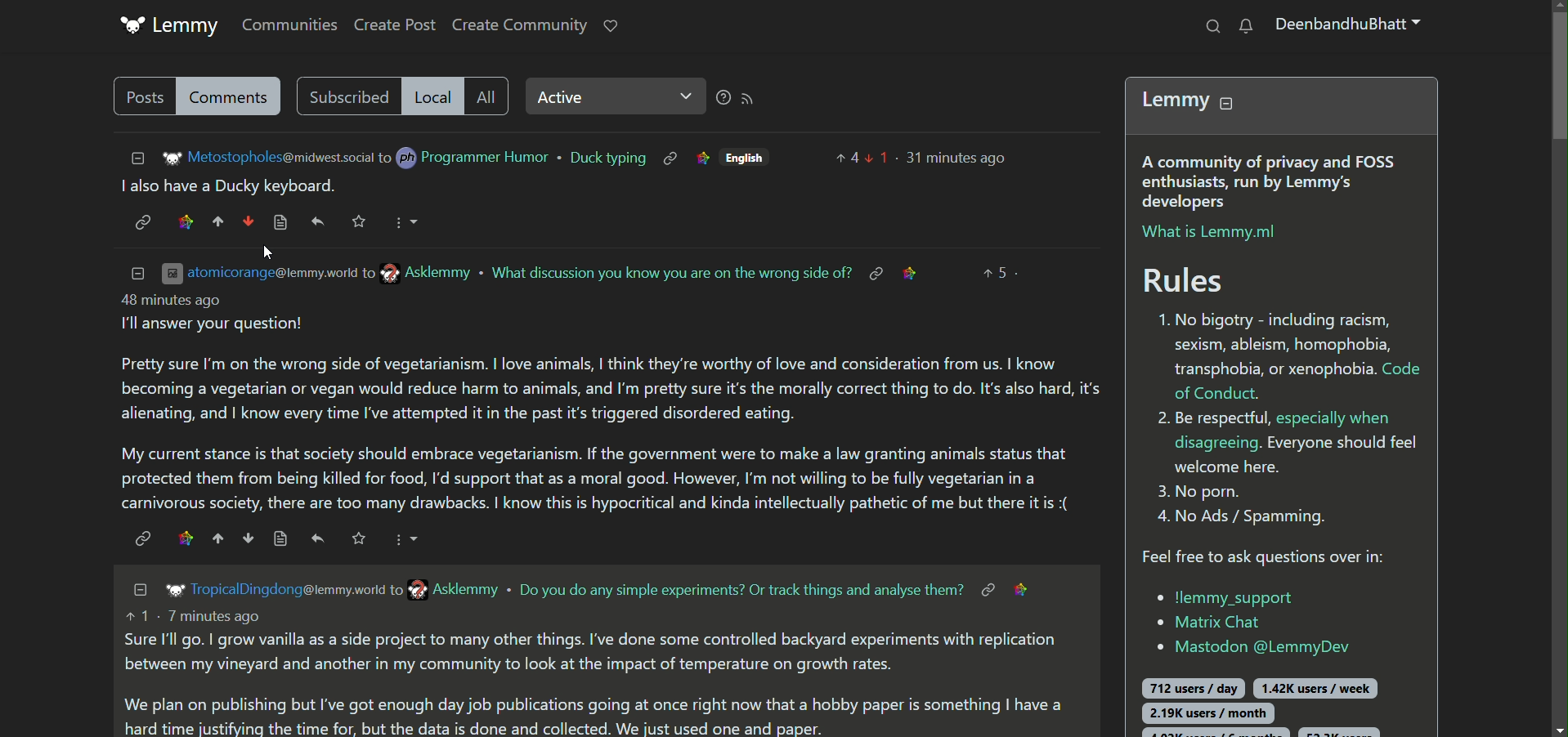  What do you see at coordinates (985, 588) in the screenshot?
I see `hyperlink` at bounding box center [985, 588].